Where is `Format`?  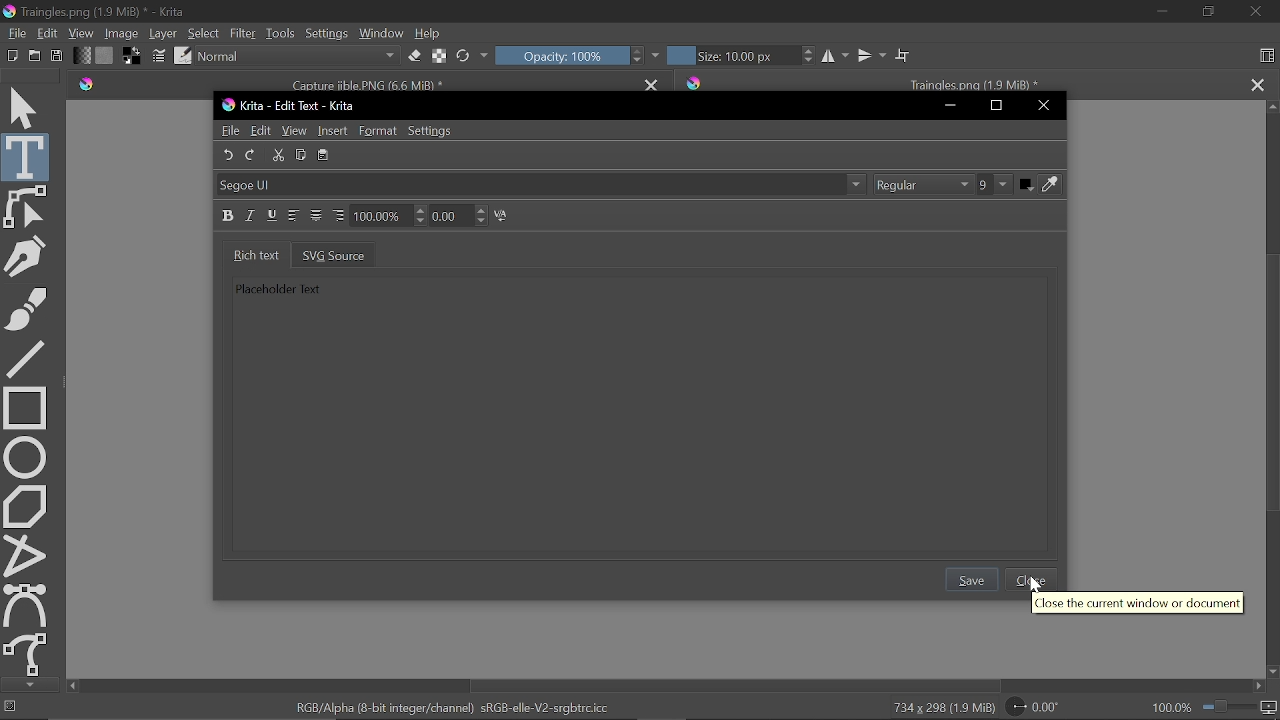
Format is located at coordinates (378, 132).